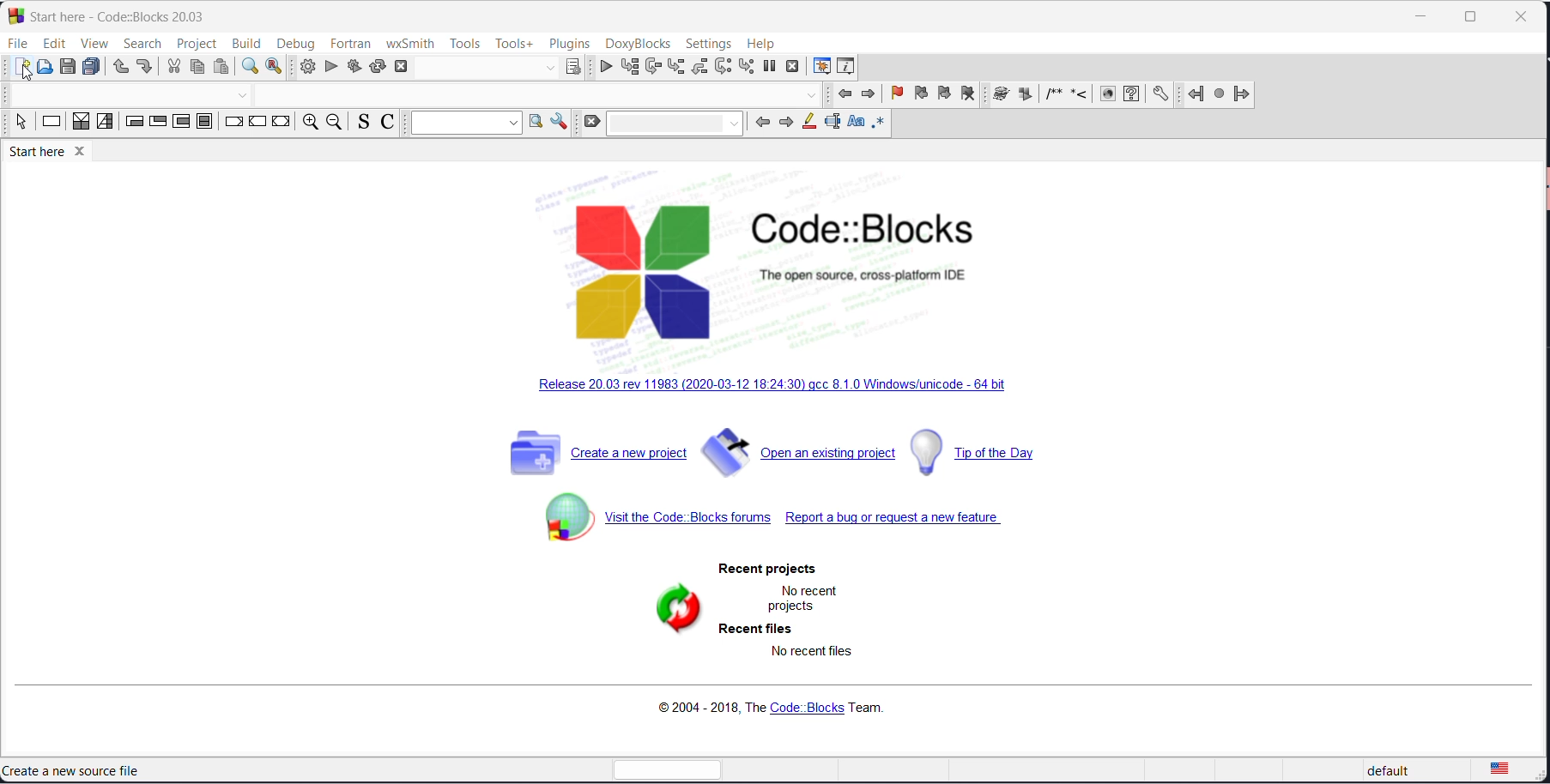  What do you see at coordinates (107, 125) in the screenshot?
I see `selection` at bounding box center [107, 125].